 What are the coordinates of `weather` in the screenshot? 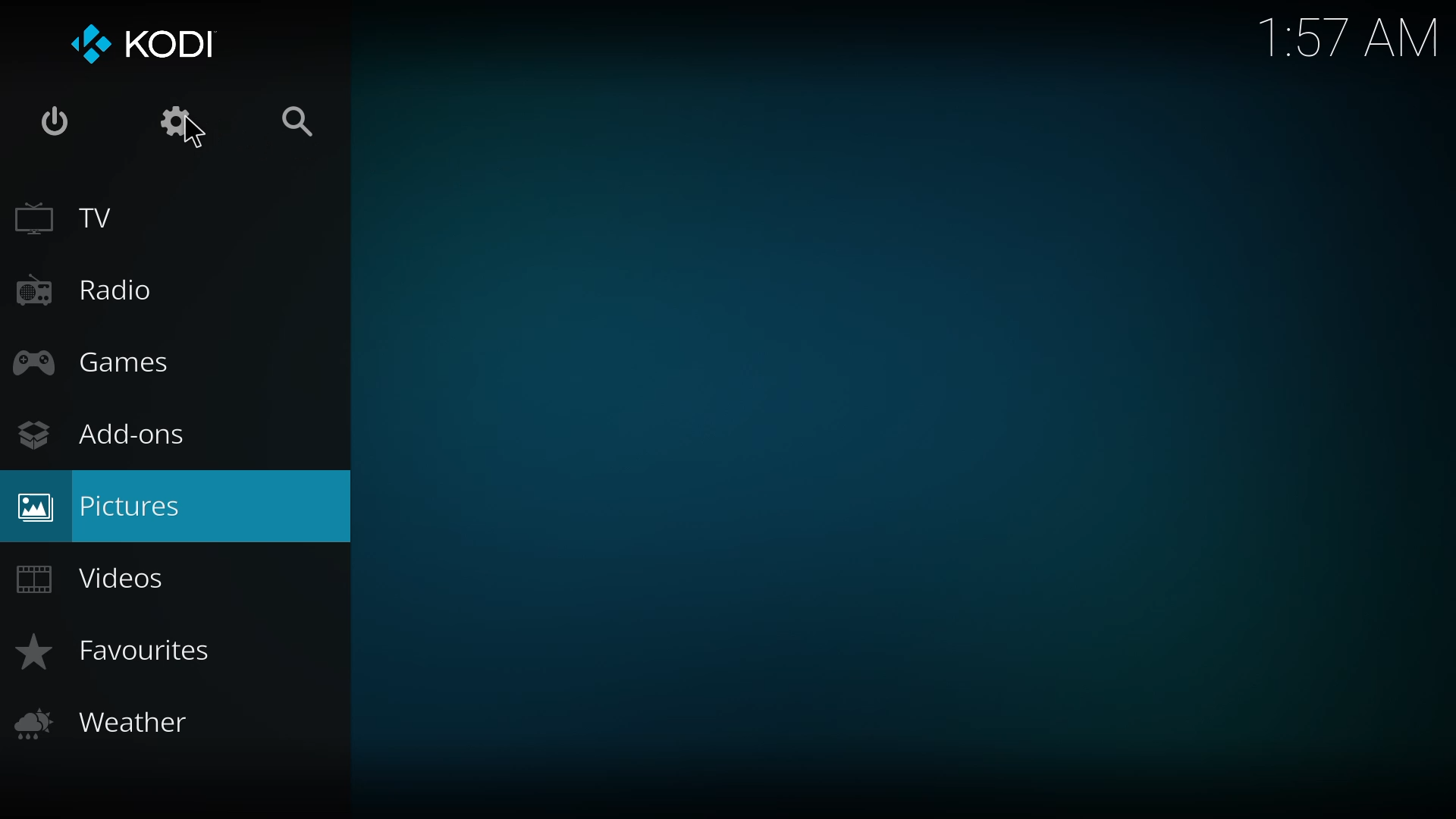 It's located at (111, 721).